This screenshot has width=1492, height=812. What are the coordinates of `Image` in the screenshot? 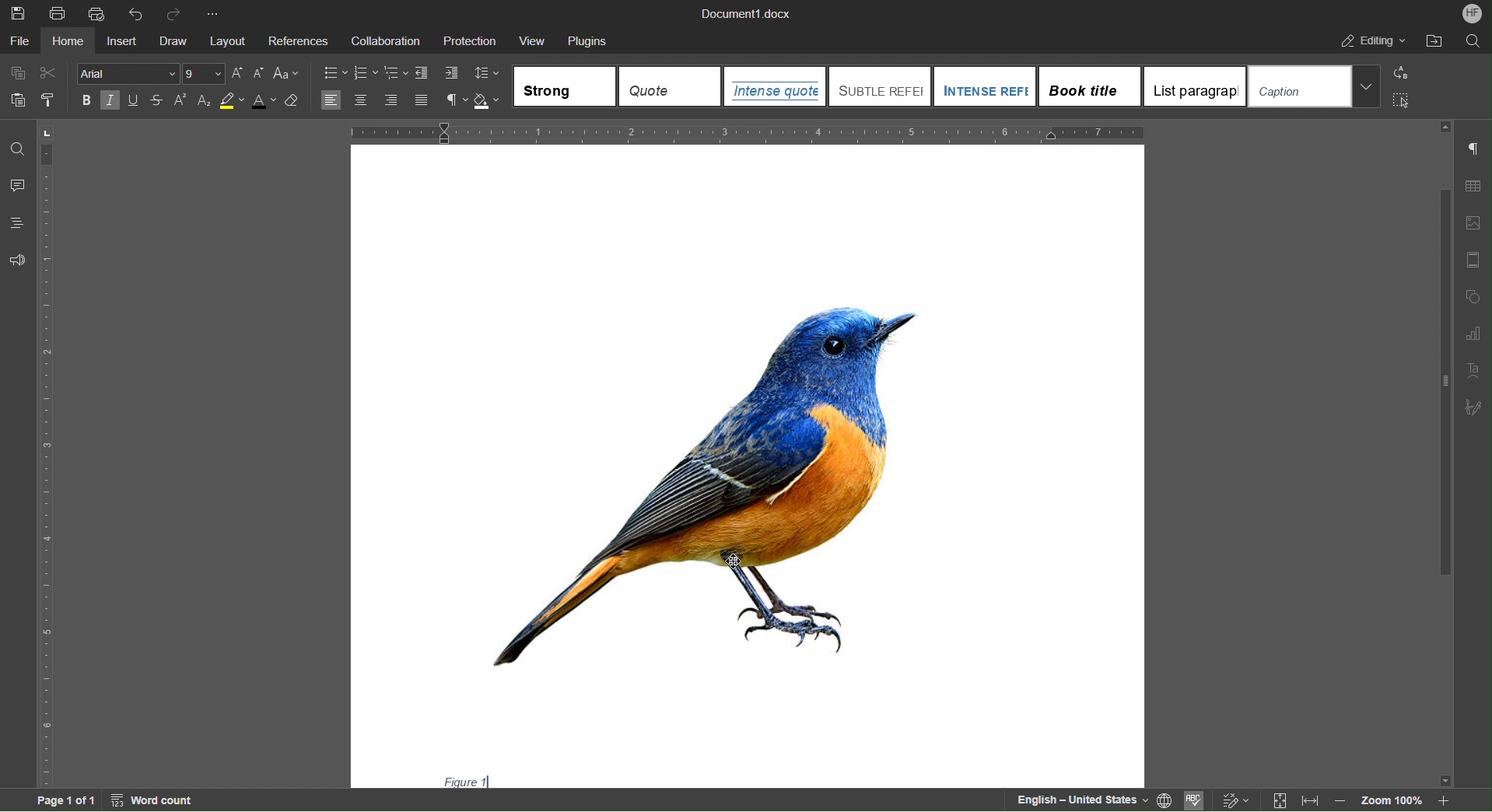 It's located at (705, 482).